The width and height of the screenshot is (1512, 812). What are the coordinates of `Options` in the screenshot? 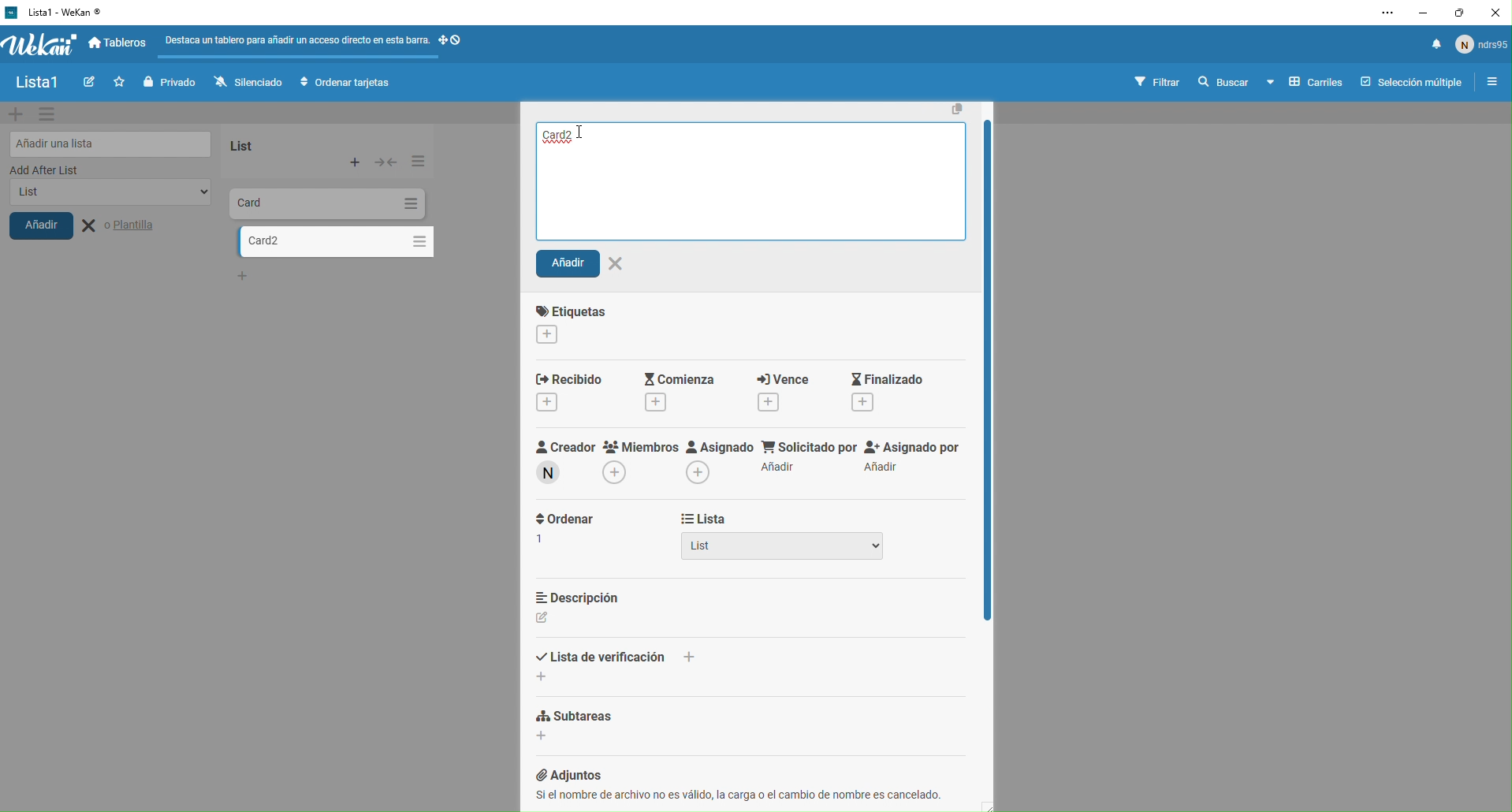 It's located at (409, 203).